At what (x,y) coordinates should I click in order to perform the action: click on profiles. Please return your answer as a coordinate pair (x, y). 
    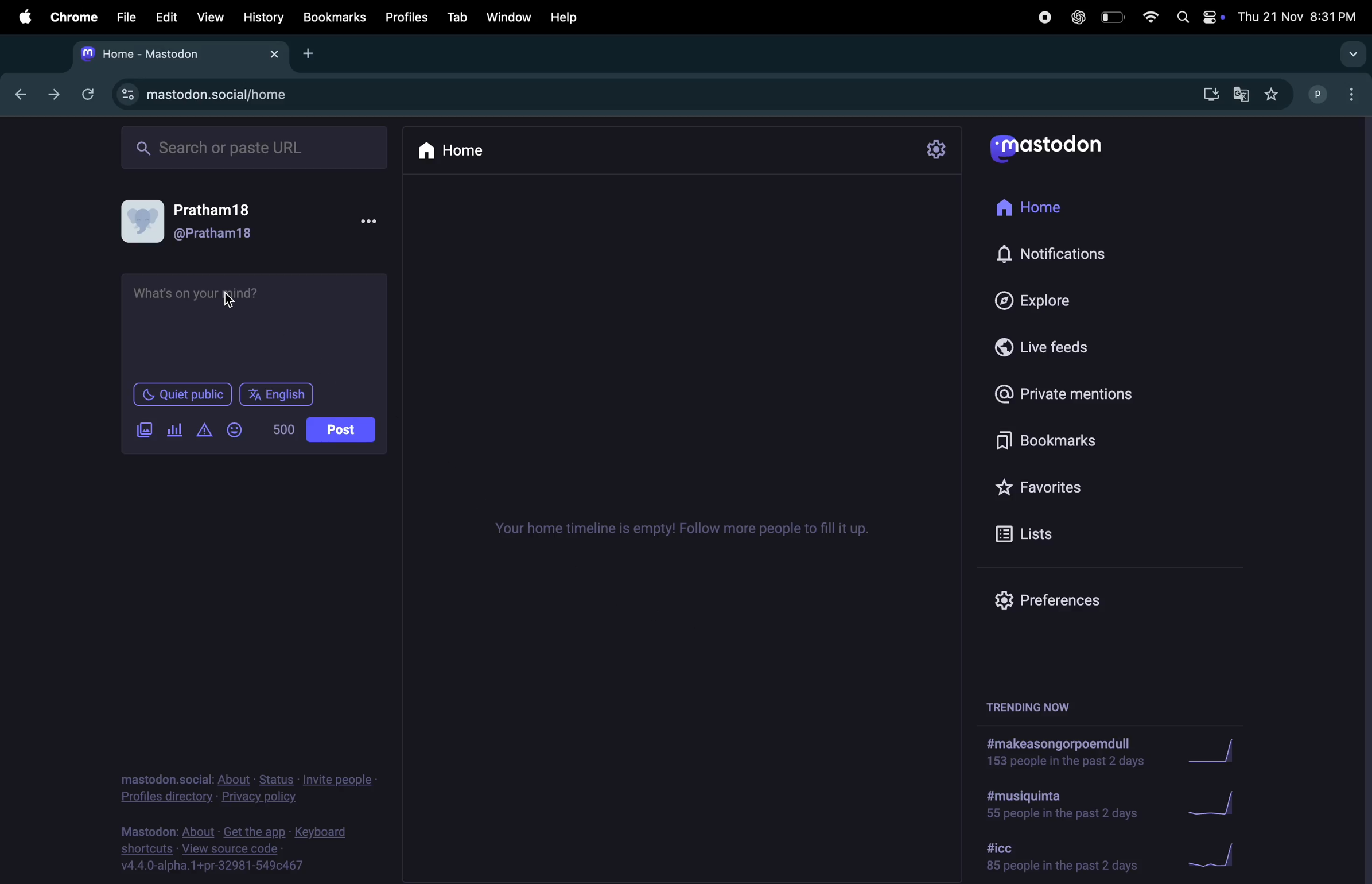
    Looking at the image, I should click on (404, 17).